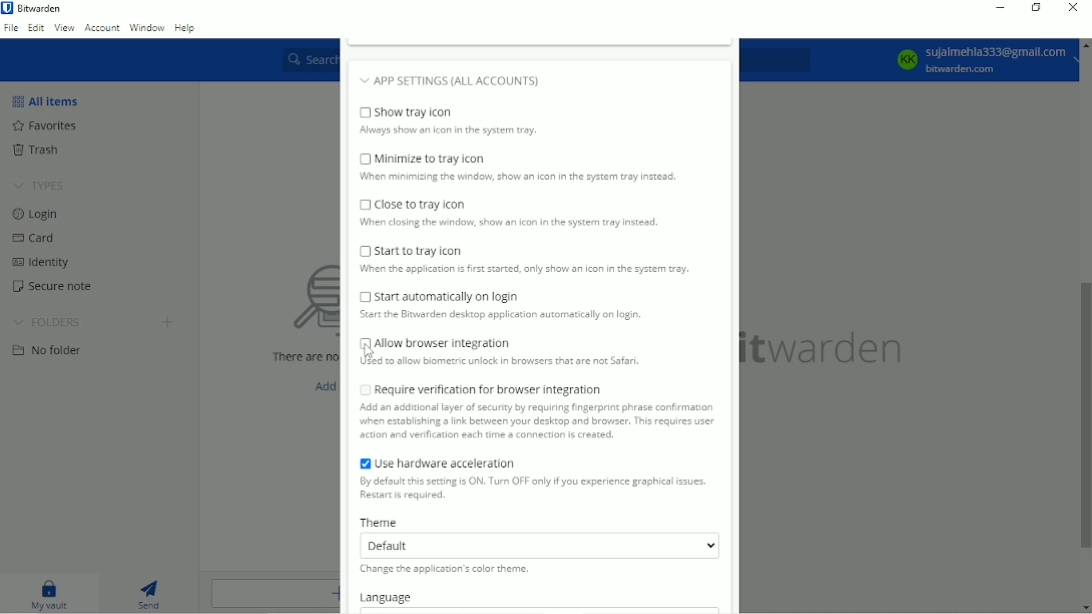 The height and width of the screenshot is (614, 1092). I want to click on Window, so click(147, 27).